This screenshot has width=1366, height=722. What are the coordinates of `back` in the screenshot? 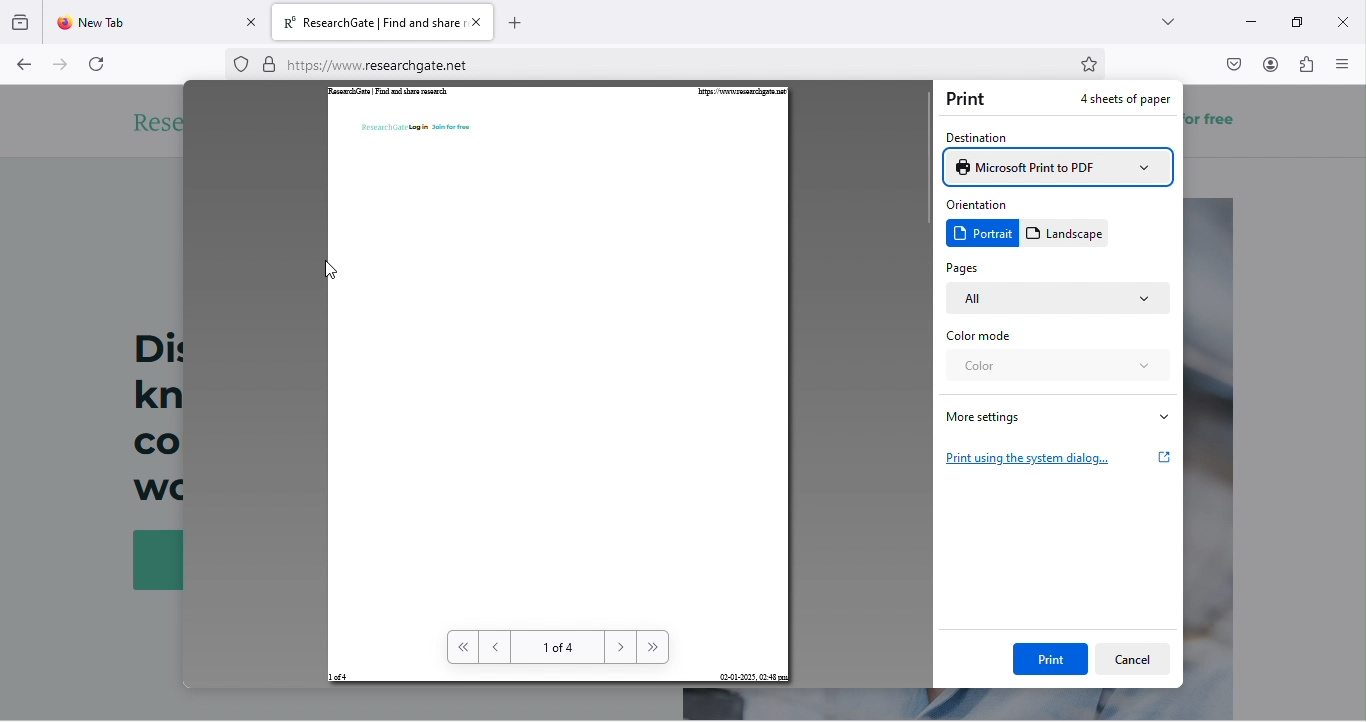 It's located at (475, 646).